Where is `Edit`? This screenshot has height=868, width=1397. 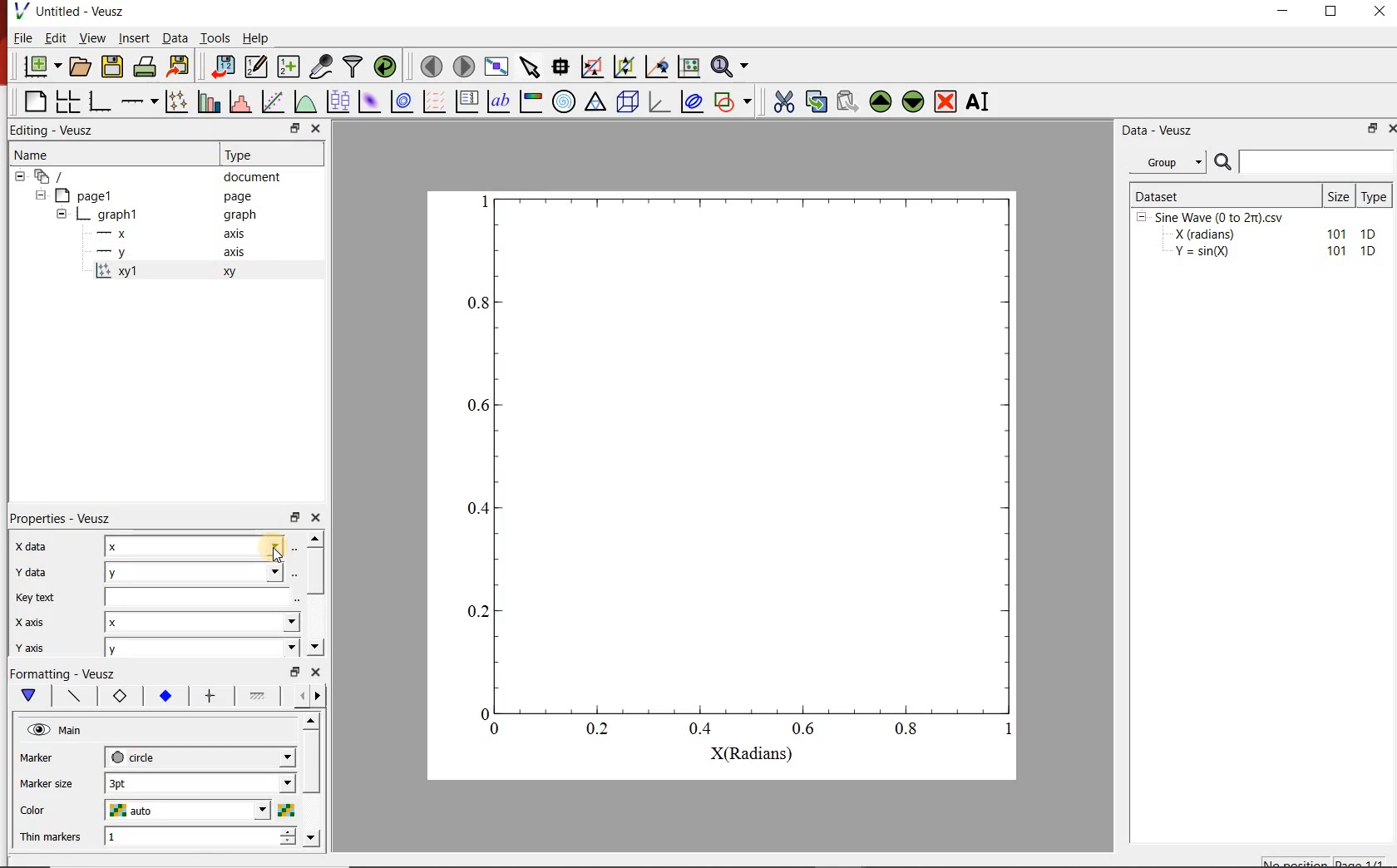 Edit is located at coordinates (56, 38).